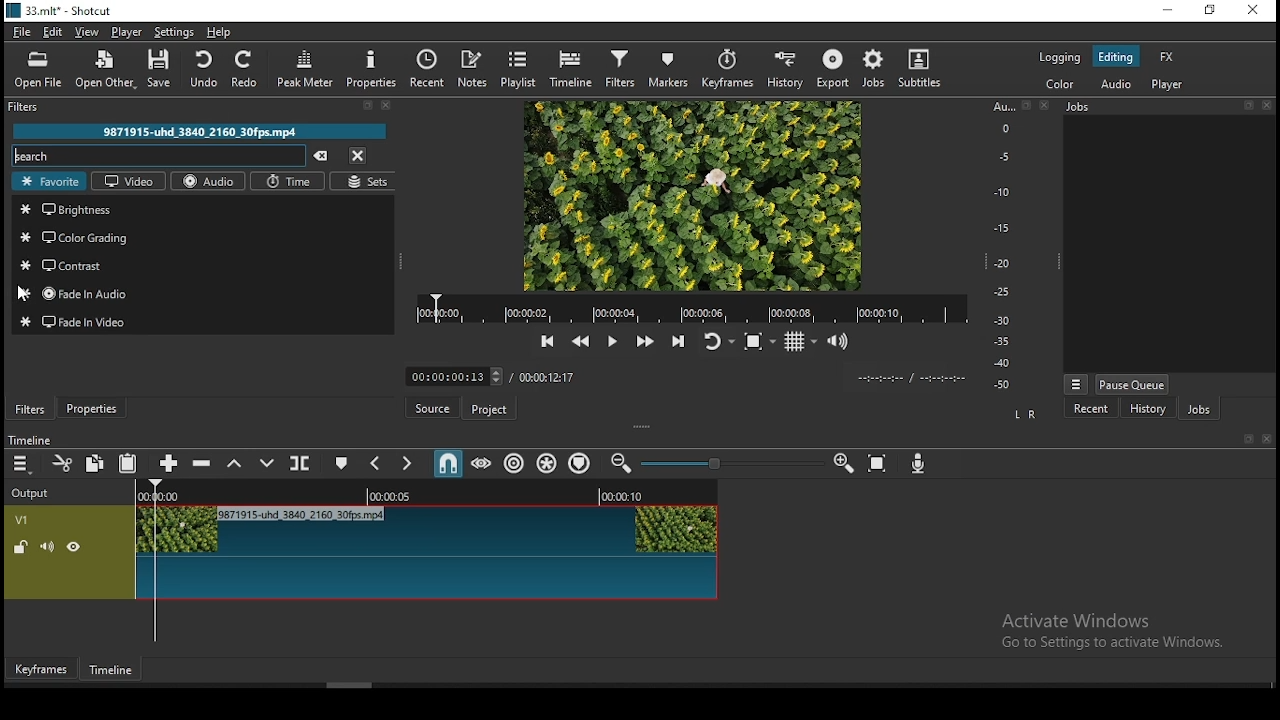 This screenshot has height=720, width=1280. What do you see at coordinates (43, 669) in the screenshot?
I see `keyframes` at bounding box center [43, 669].